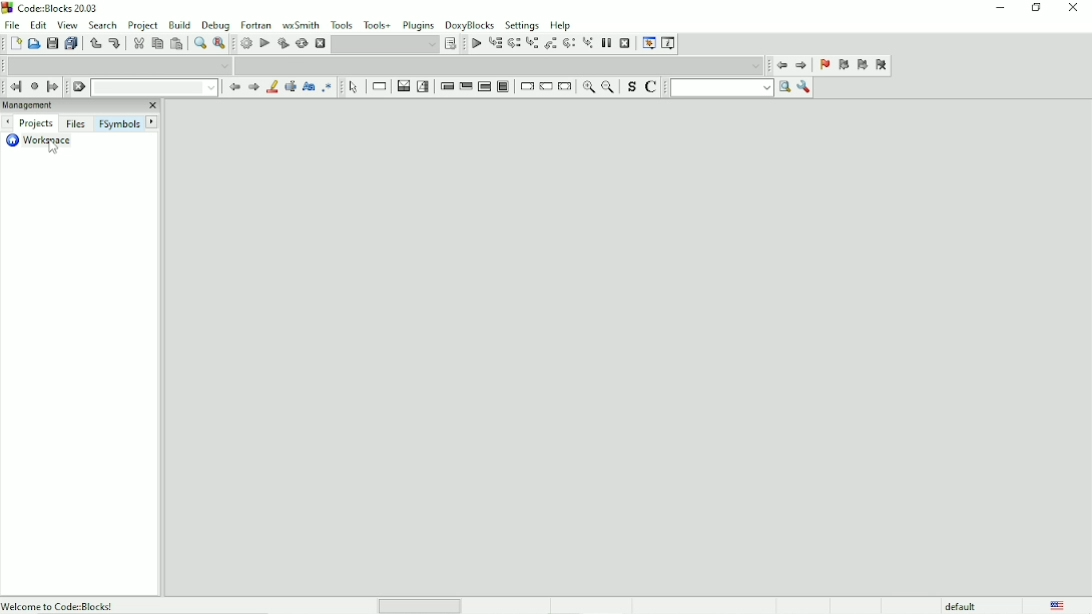 The image size is (1092, 614). Describe the element at coordinates (803, 87) in the screenshot. I see `Show options window` at that location.